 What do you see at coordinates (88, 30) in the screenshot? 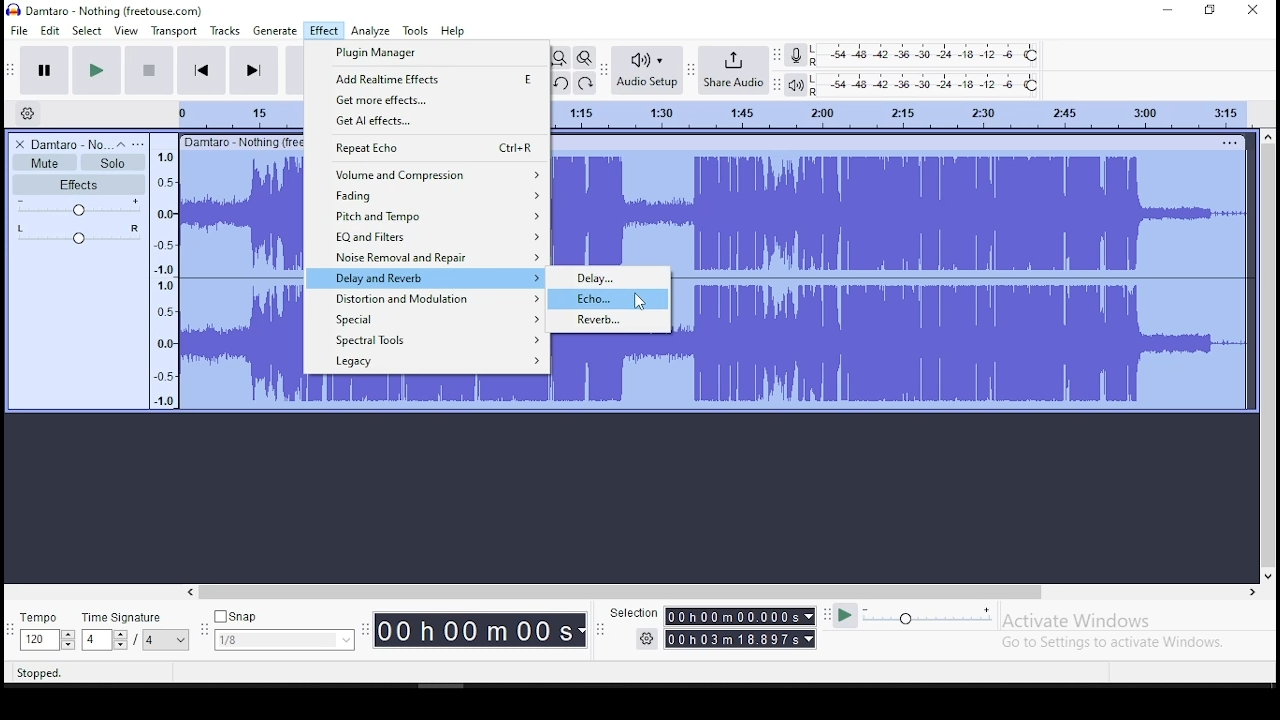
I see `select` at bounding box center [88, 30].